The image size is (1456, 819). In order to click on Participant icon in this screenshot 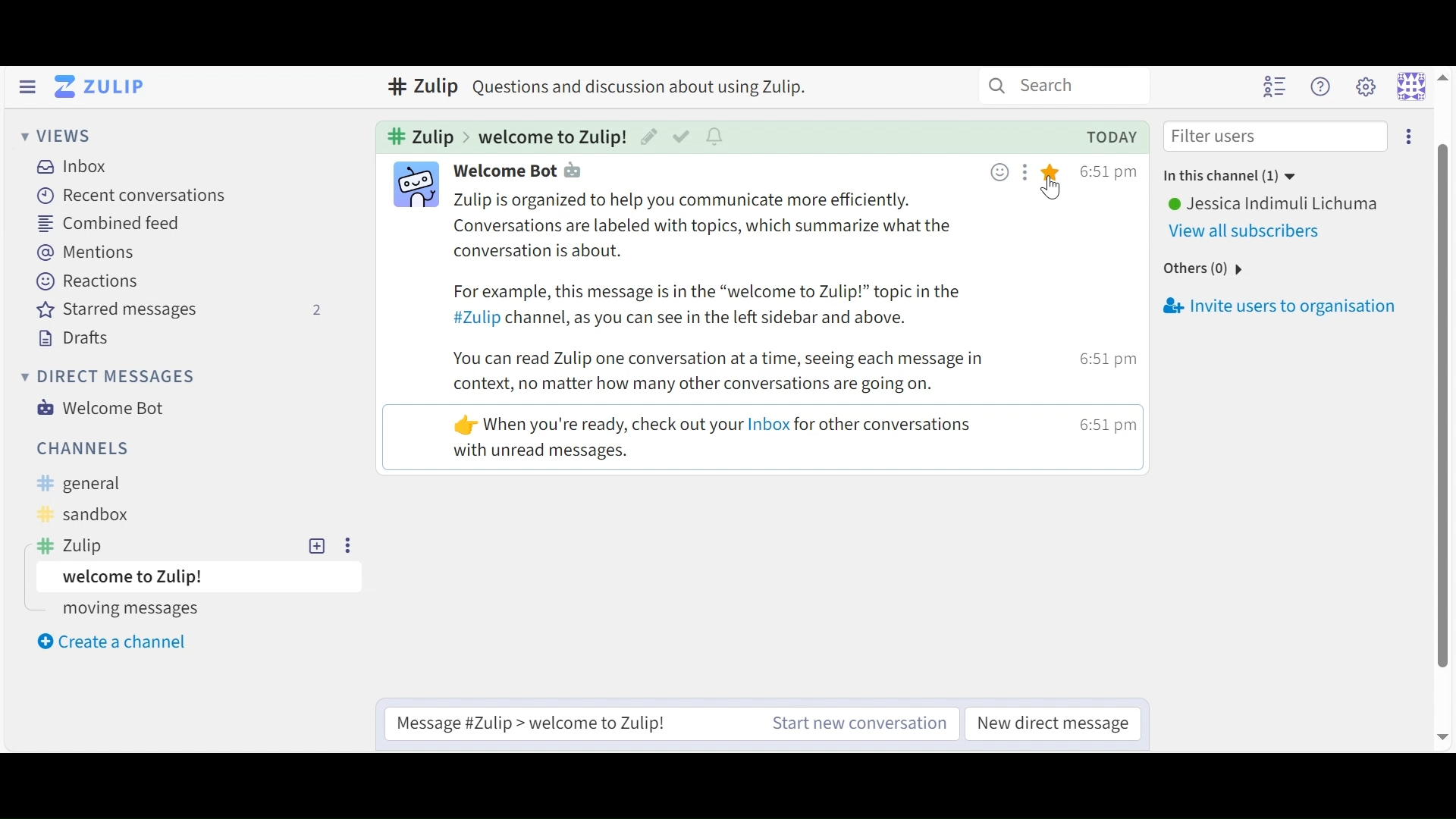, I will do `click(416, 184)`.